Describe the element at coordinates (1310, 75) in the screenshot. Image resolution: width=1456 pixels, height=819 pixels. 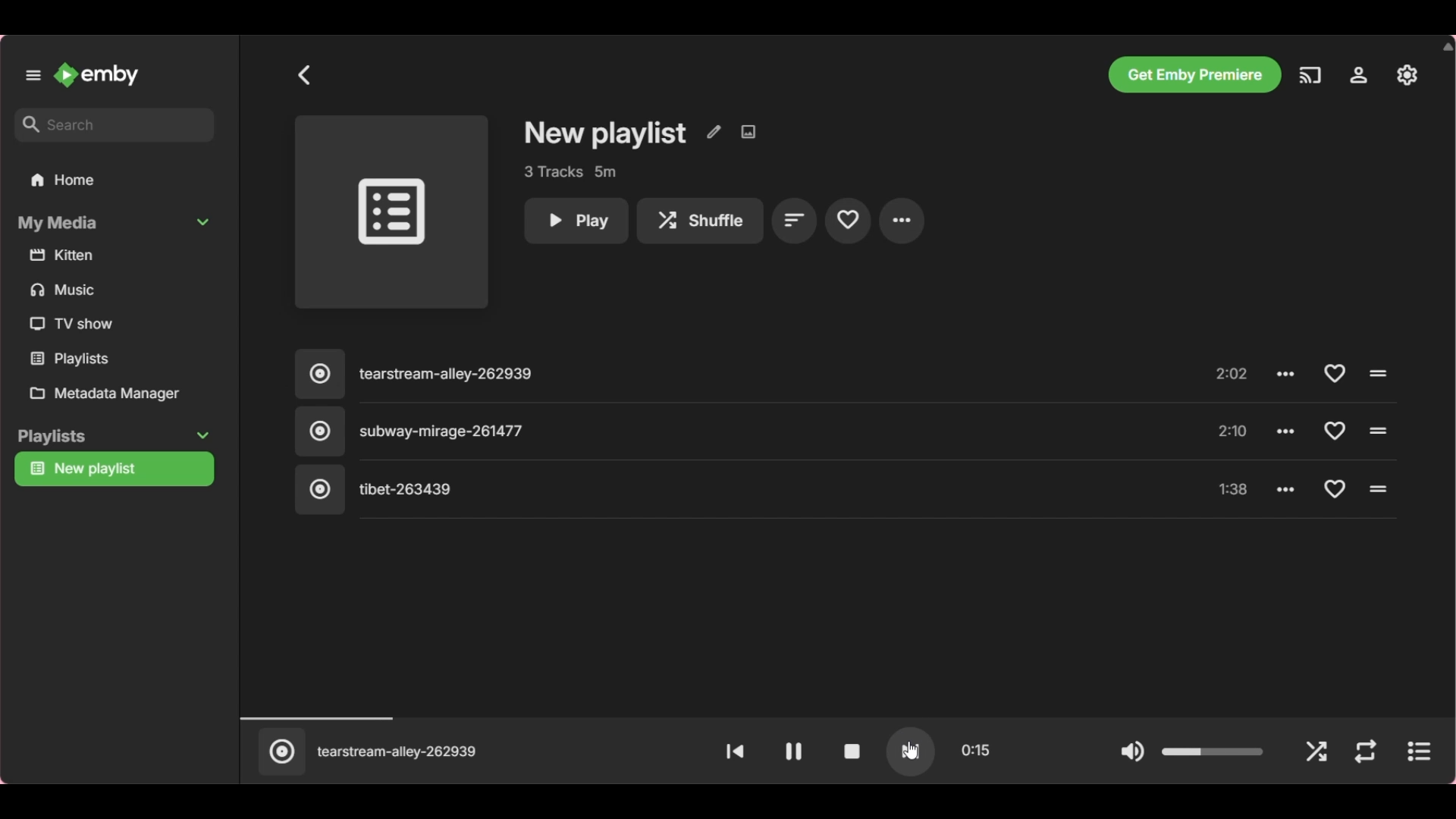
I see `Play on another device` at that location.